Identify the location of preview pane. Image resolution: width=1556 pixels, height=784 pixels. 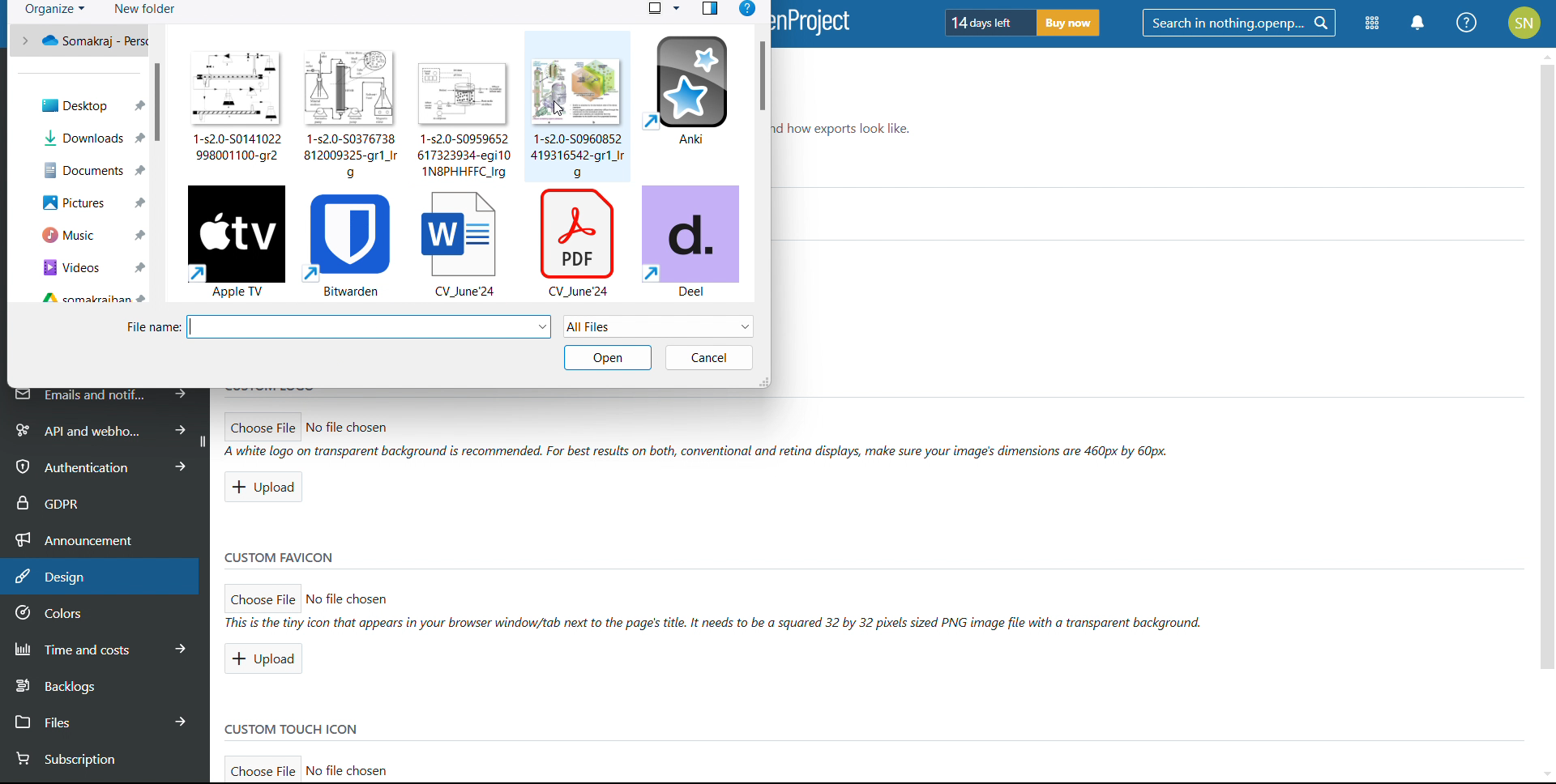
(709, 10).